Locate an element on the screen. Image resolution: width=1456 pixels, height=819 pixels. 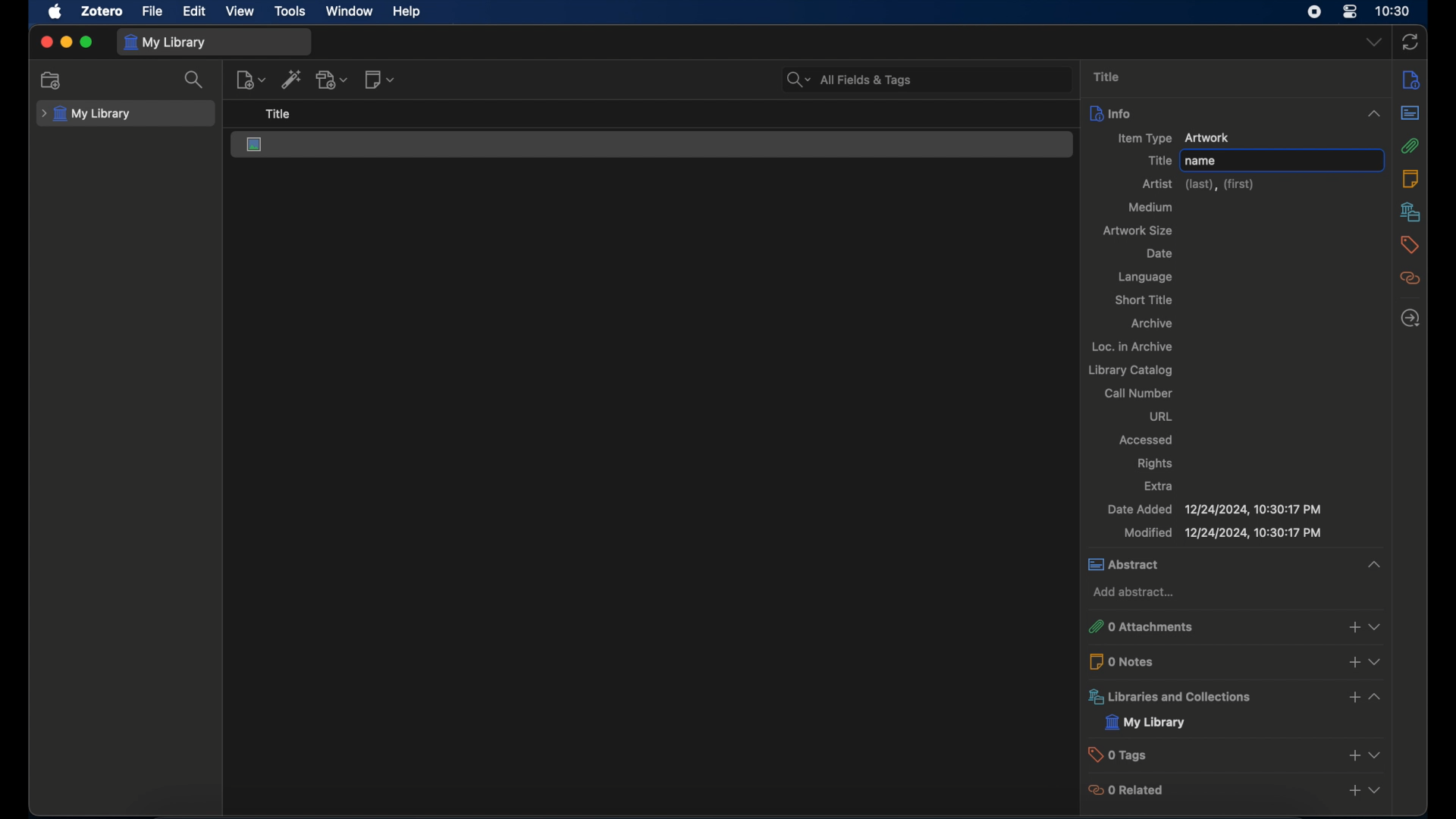
locate is located at coordinates (1411, 319).